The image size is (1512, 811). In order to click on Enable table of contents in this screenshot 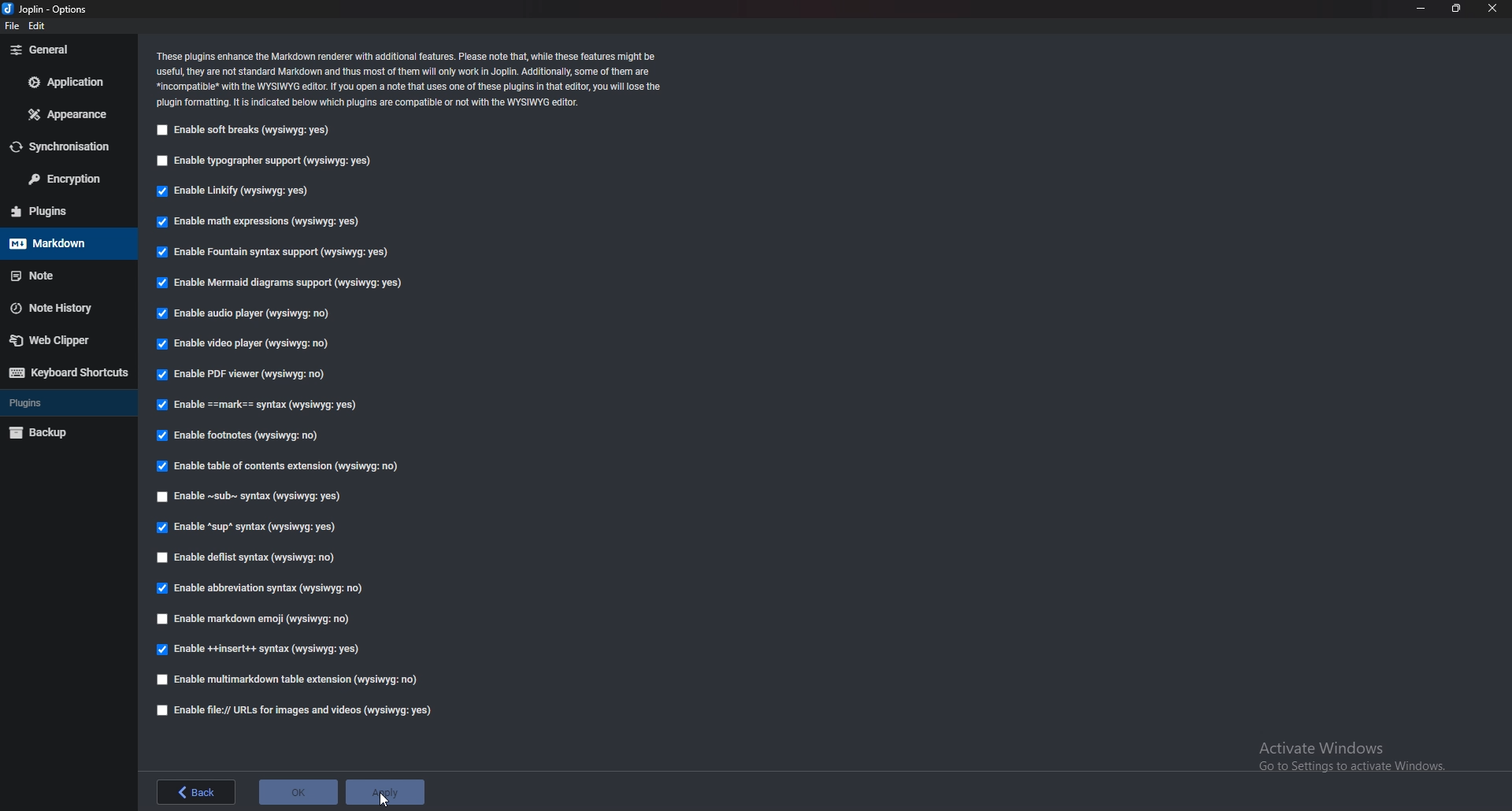, I will do `click(286, 467)`.